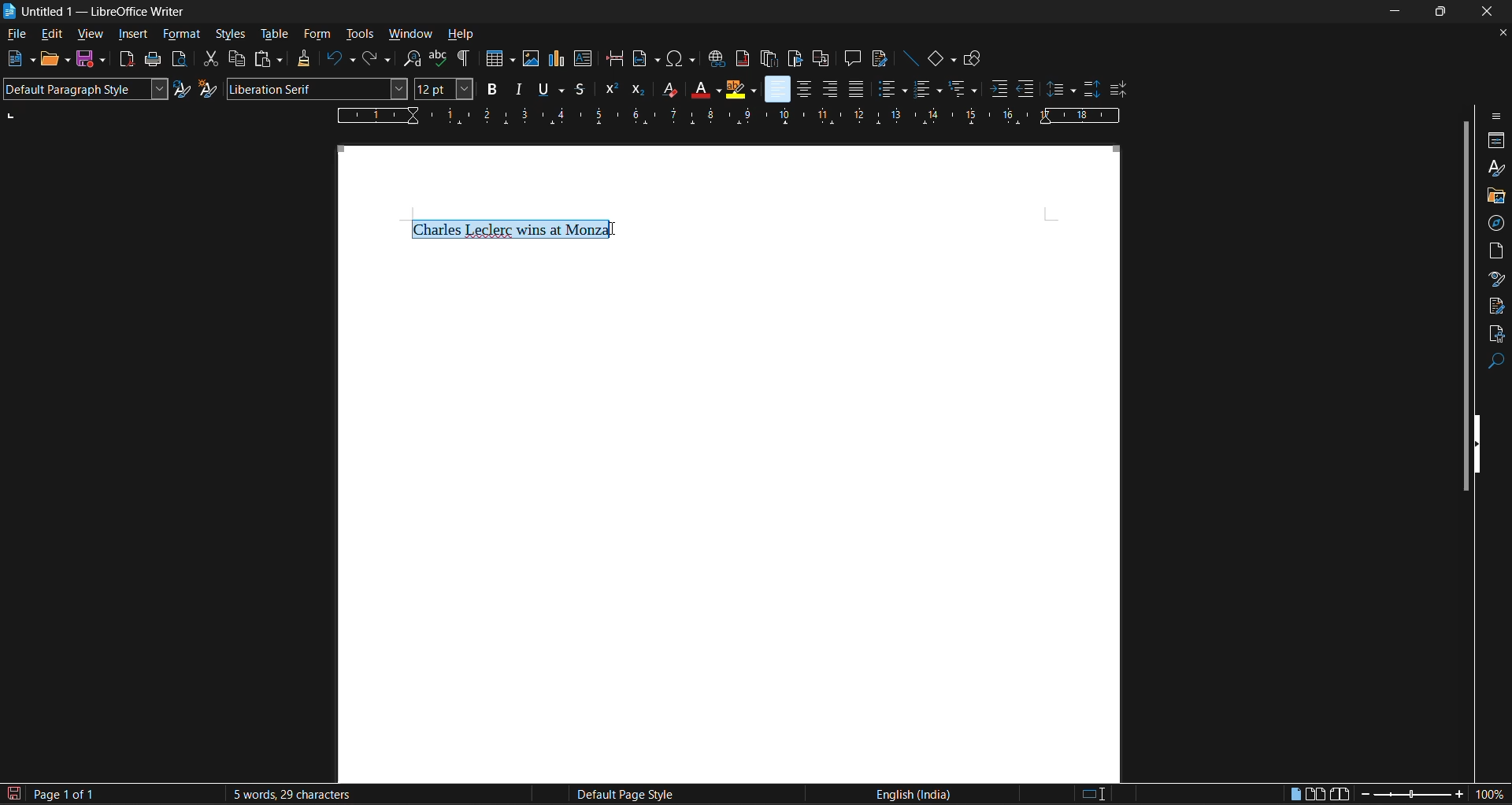 The image size is (1512, 805). What do you see at coordinates (88, 36) in the screenshot?
I see `view` at bounding box center [88, 36].